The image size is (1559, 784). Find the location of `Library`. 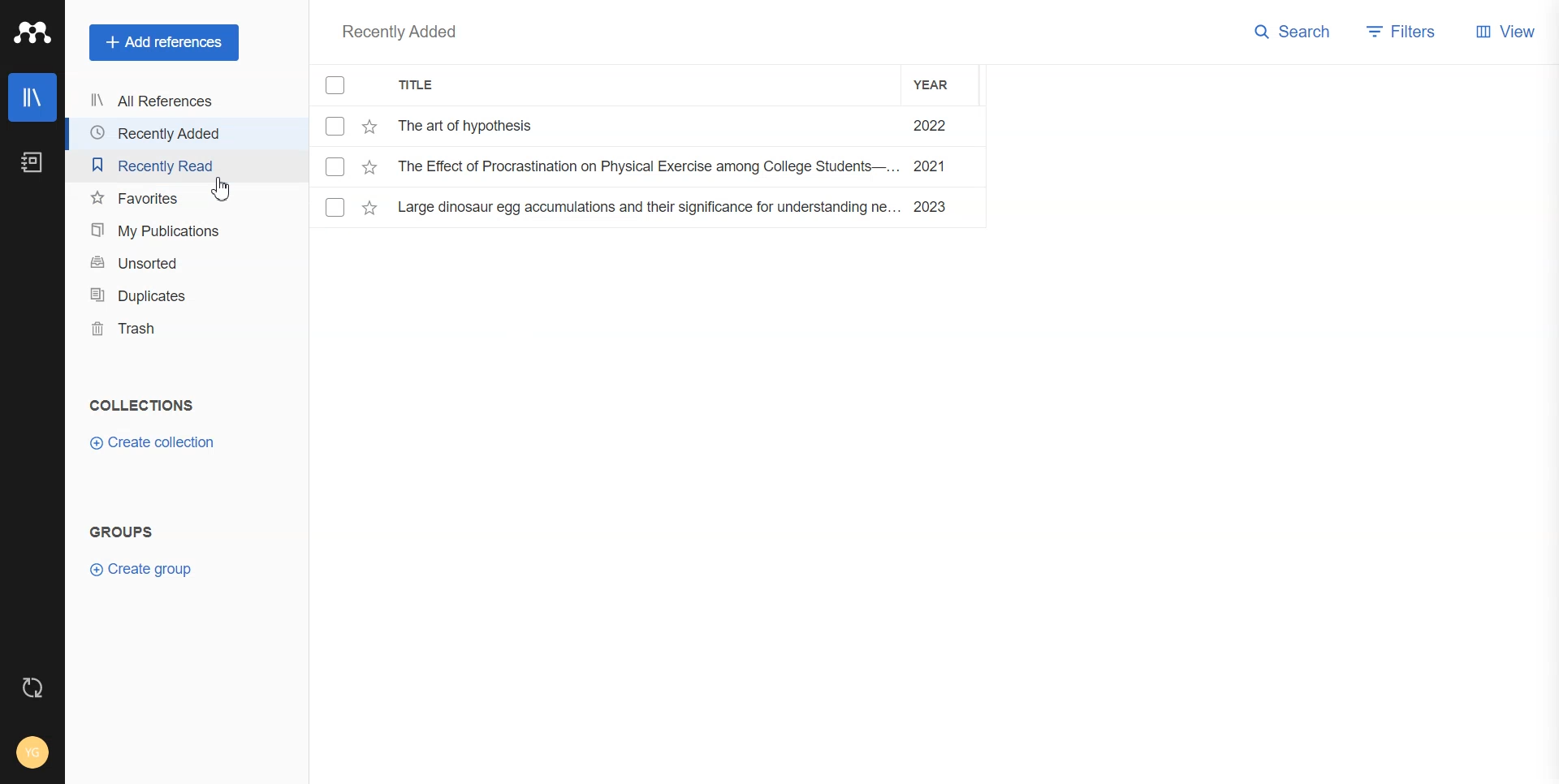

Library is located at coordinates (32, 97).